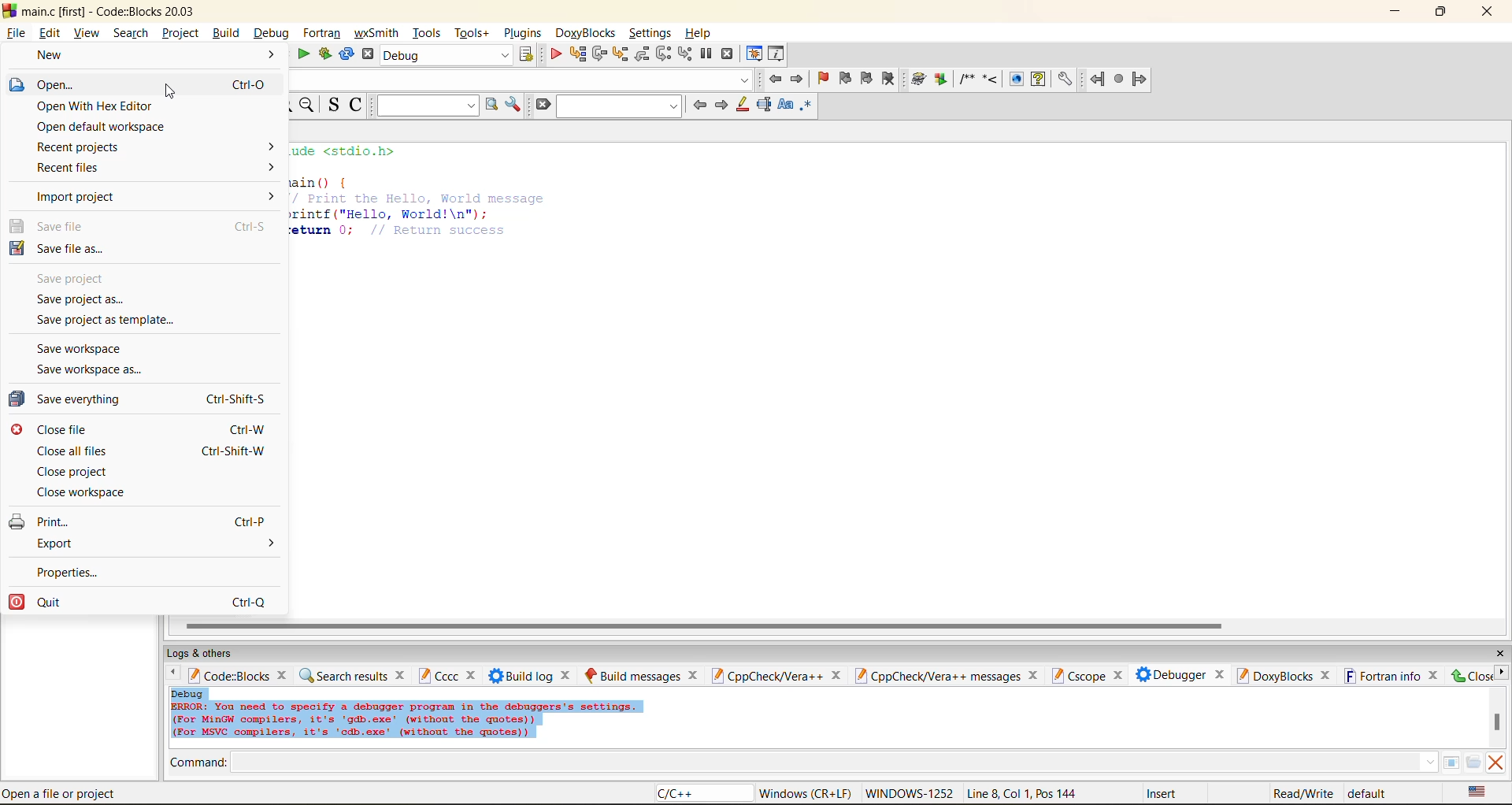 The width and height of the screenshot is (1512, 805). What do you see at coordinates (799, 78) in the screenshot?
I see `jump forward` at bounding box center [799, 78].